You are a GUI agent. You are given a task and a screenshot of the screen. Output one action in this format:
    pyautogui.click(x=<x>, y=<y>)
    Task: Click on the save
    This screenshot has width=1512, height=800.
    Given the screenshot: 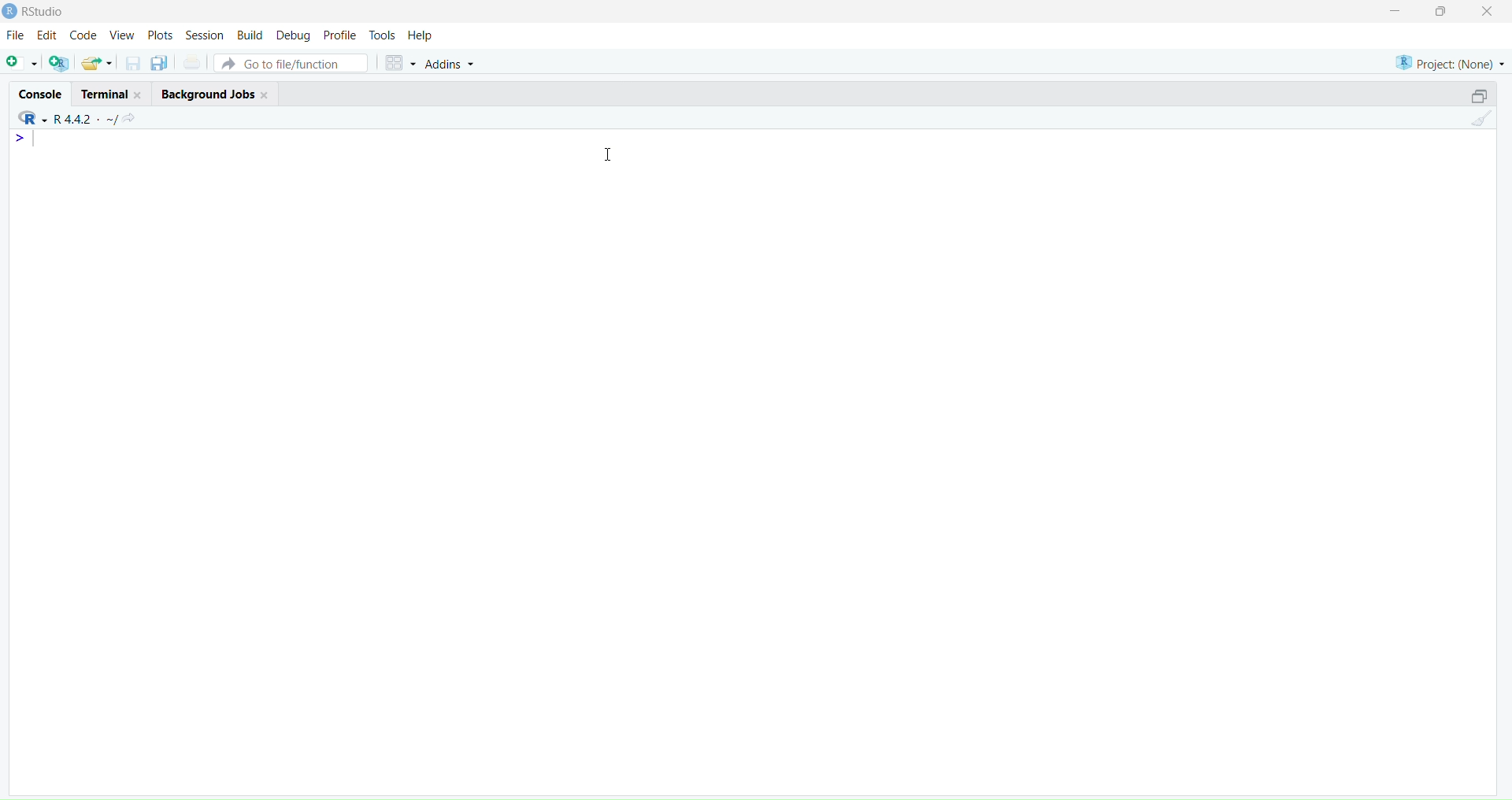 What is the action you would take?
    pyautogui.click(x=132, y=67)
    